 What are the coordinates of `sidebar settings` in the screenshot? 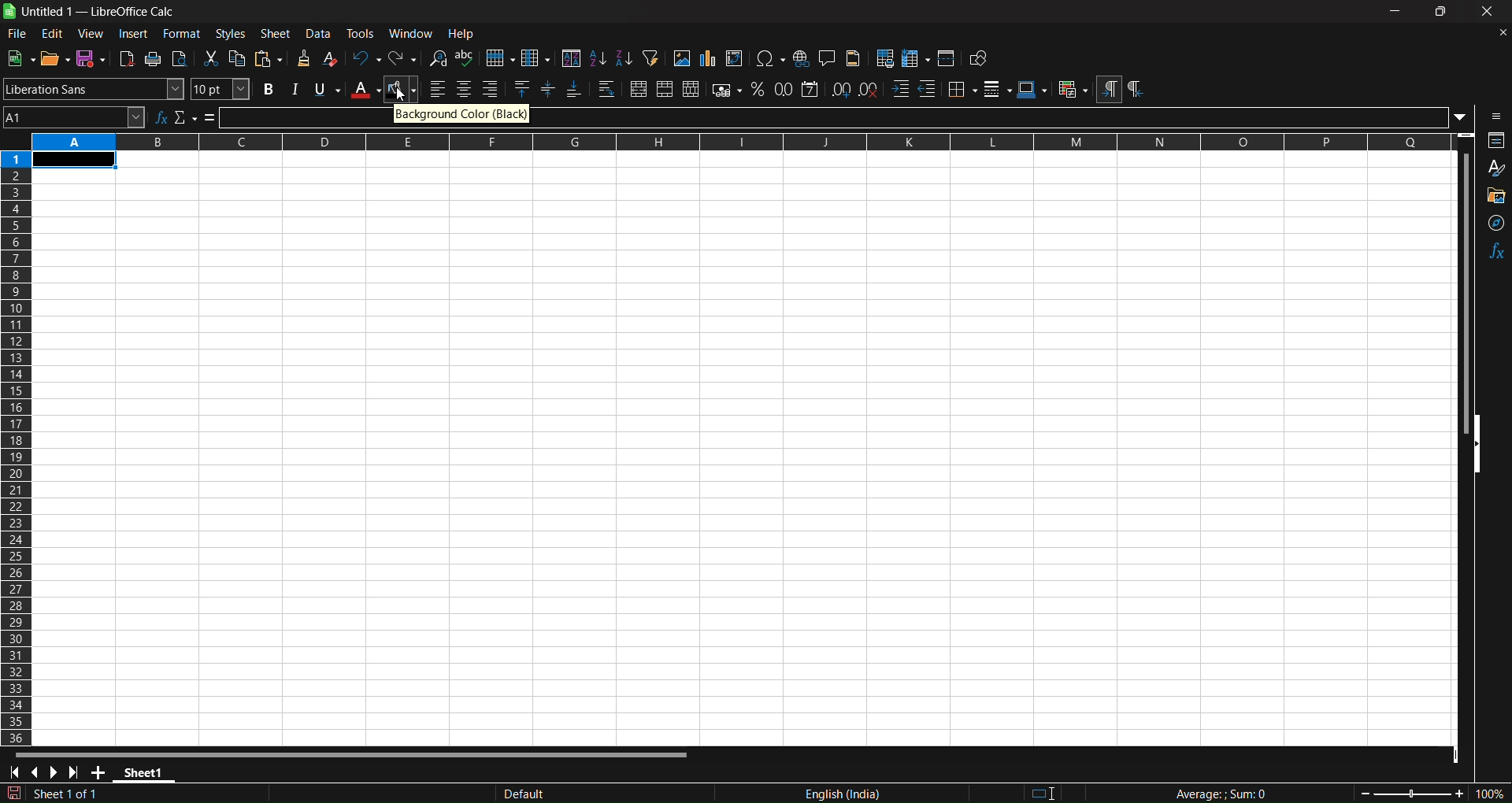 It's located at (1492, 117).